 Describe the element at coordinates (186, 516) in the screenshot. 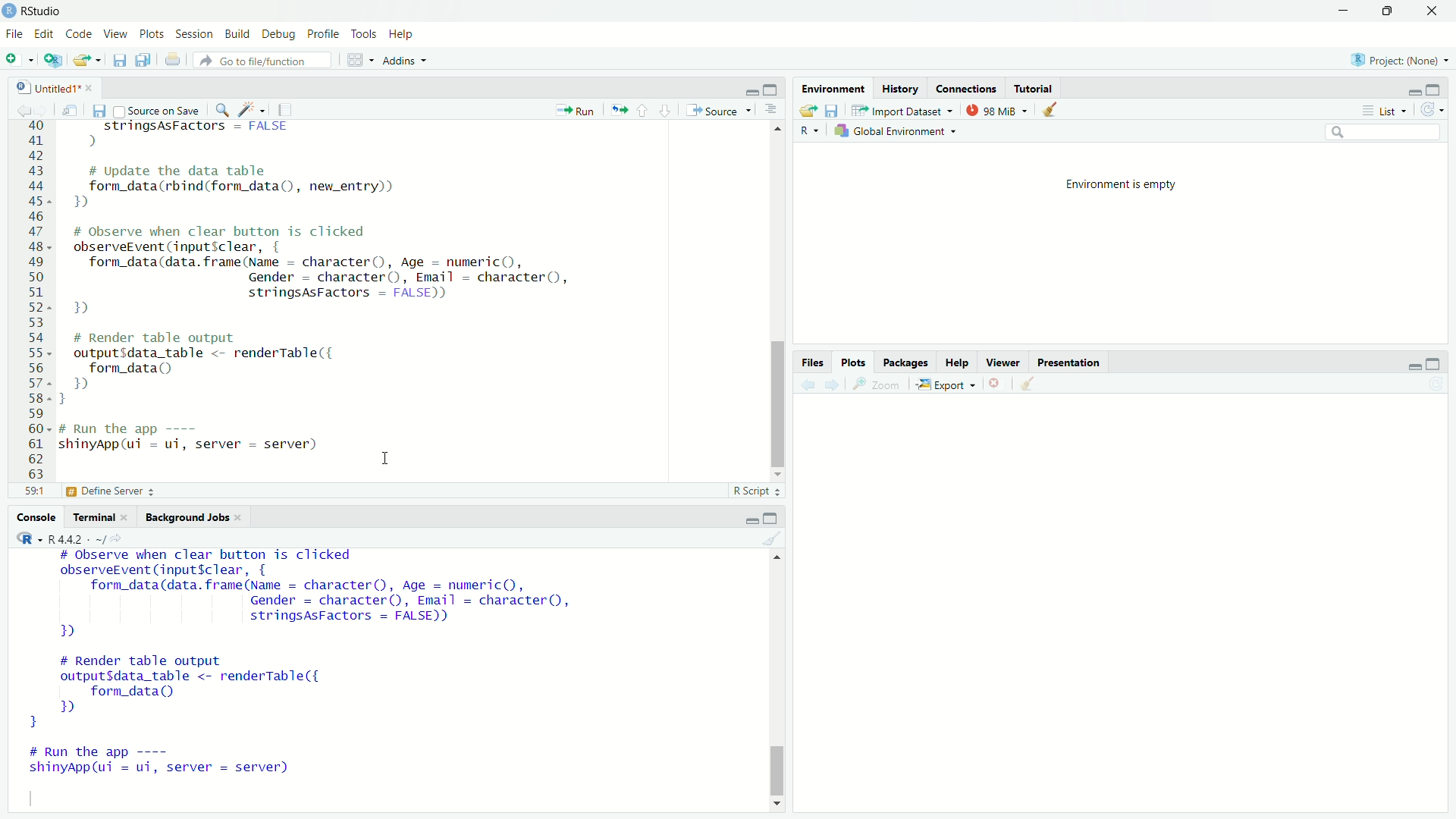

I see `background jobs` at that location.